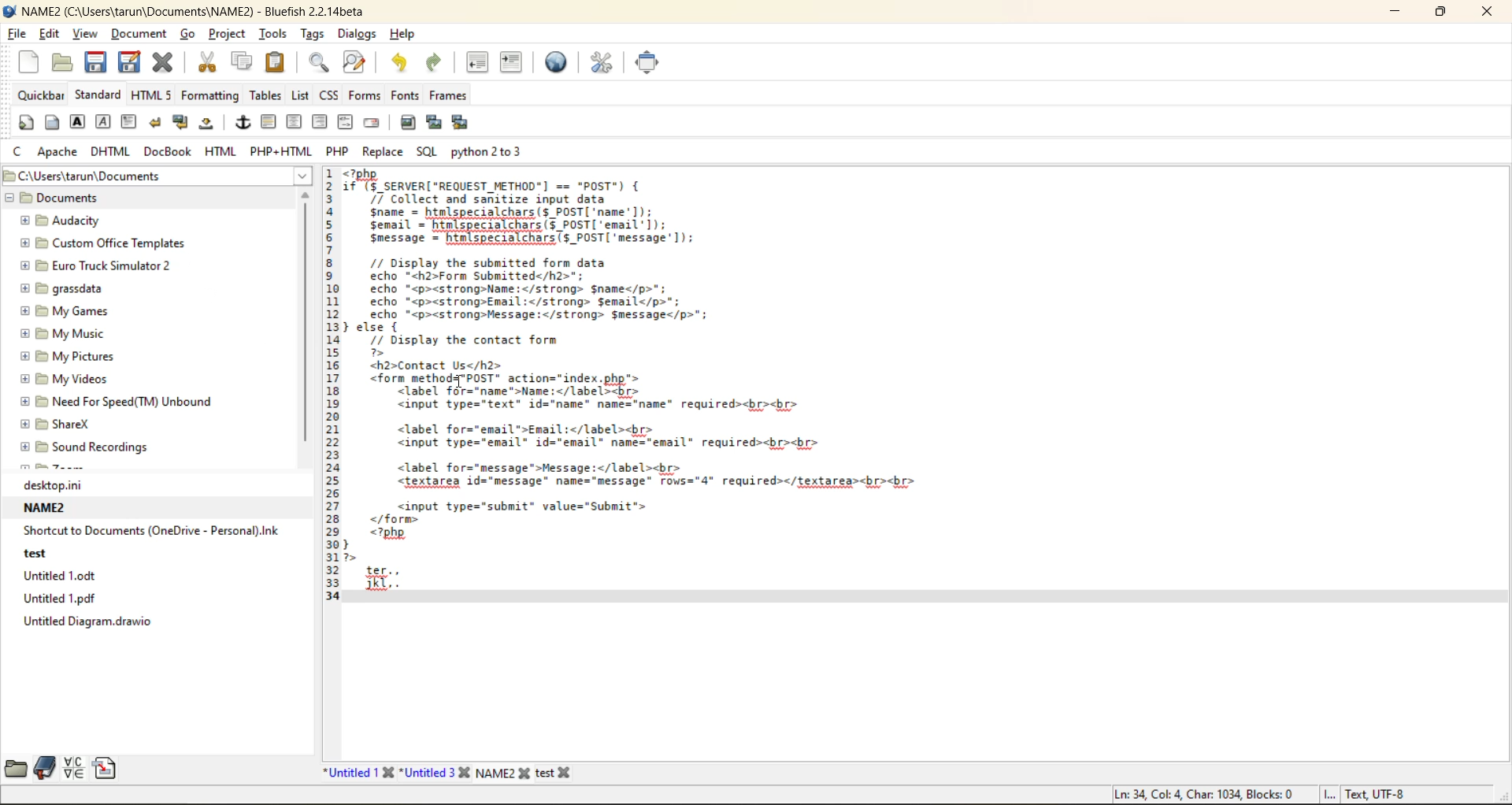  I want to click on my games, so click(73, 310).